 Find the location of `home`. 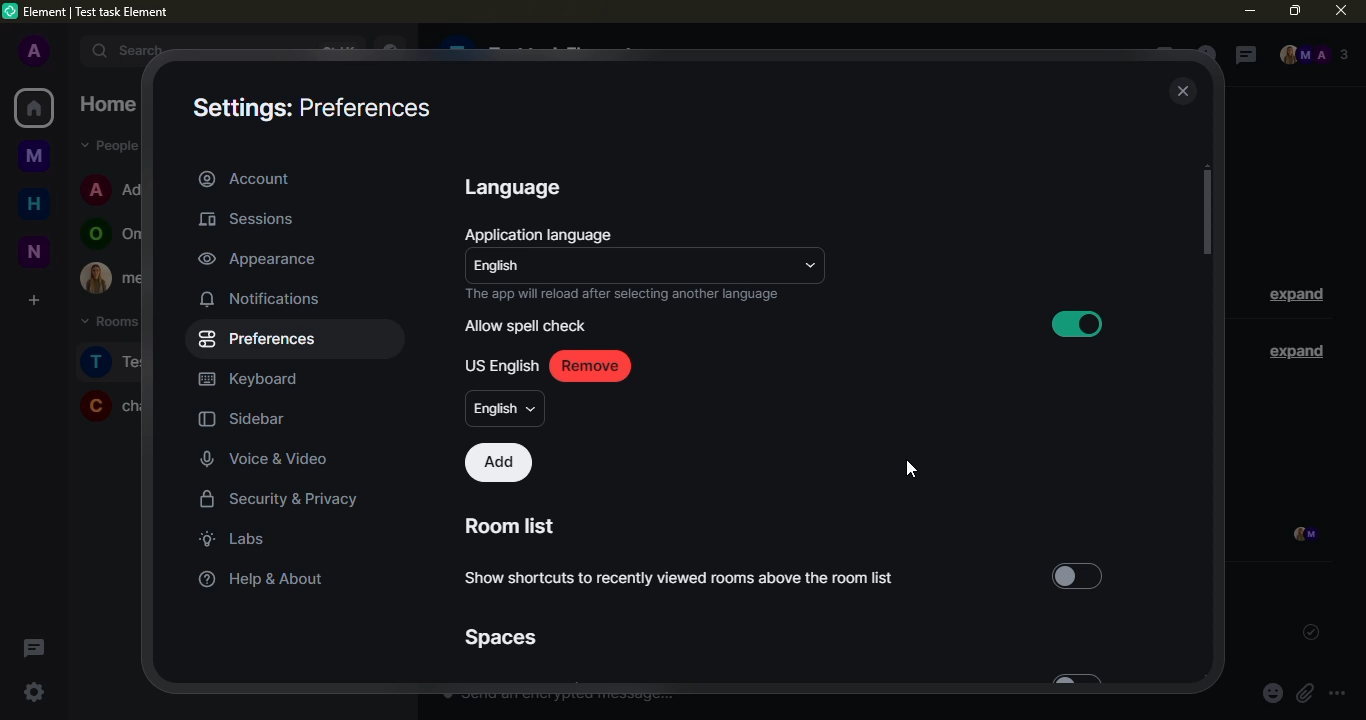

home is located at coordinates (35, 201).